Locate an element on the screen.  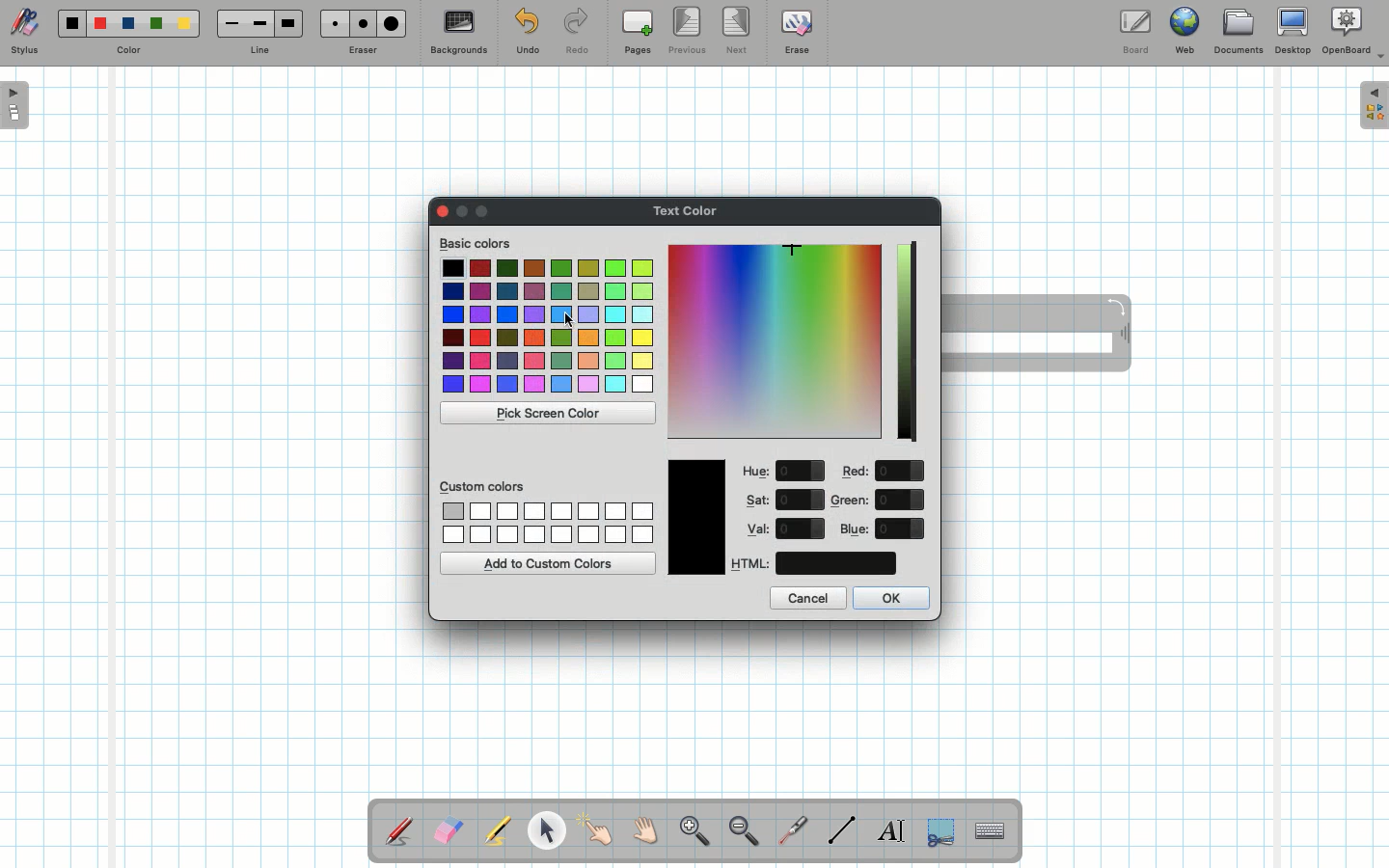
Board is located at coordinates (1134, 32).